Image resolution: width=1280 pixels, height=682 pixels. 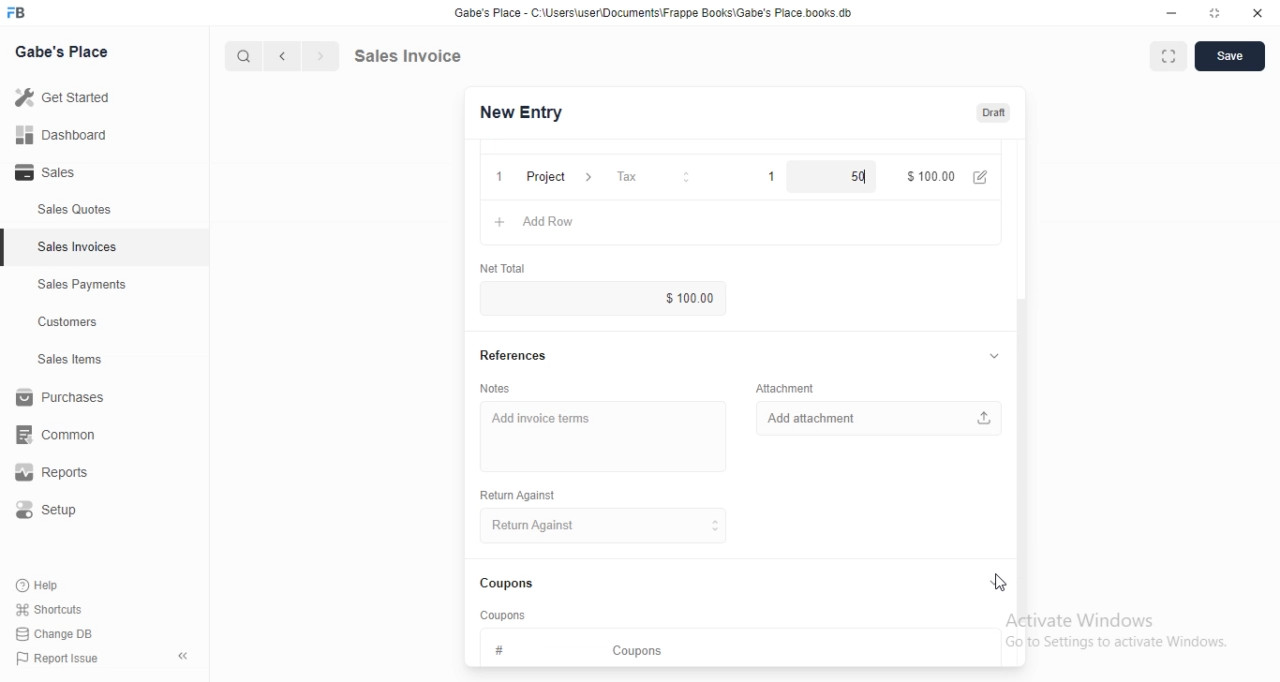 What do you see at coordinates (66, 50) in the screenshot?
I see `Gabe's Place` at bounding box center [66, 50].